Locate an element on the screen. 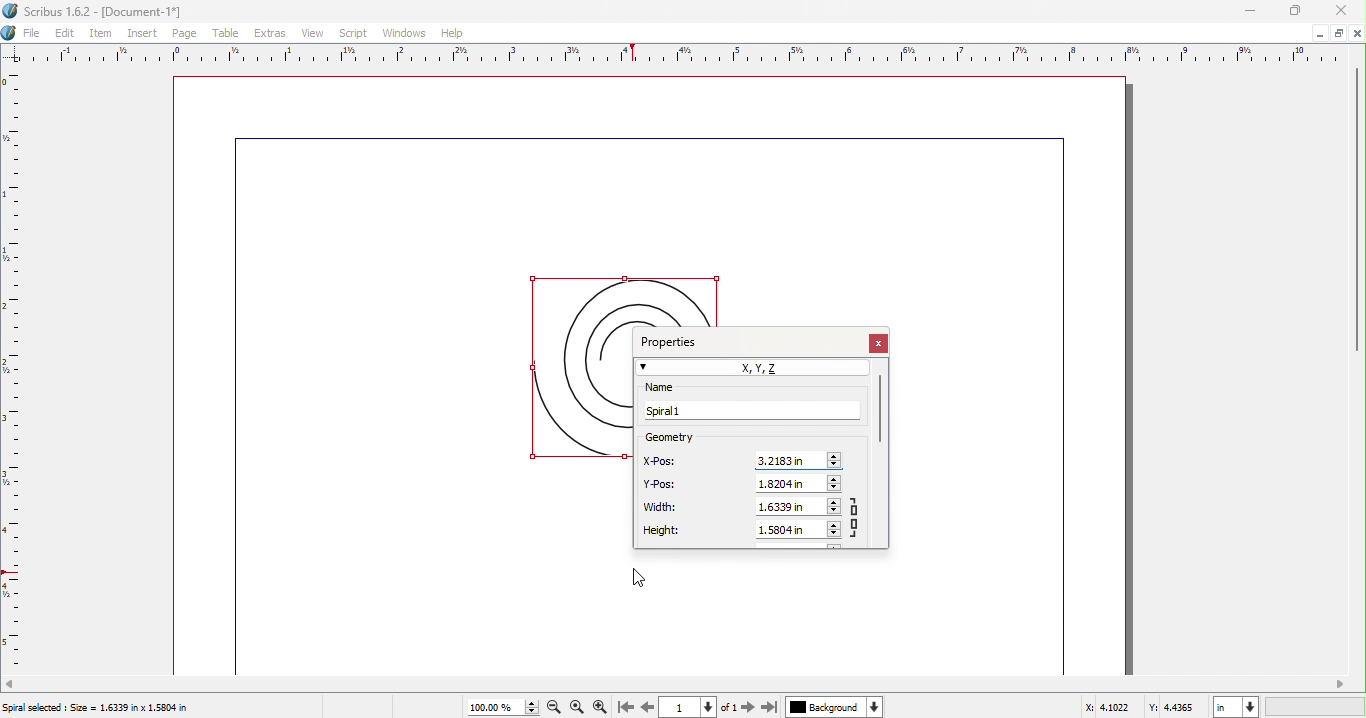 This screenshot has height=718, width=1366. decrease height is located at coordinates (834, 536).